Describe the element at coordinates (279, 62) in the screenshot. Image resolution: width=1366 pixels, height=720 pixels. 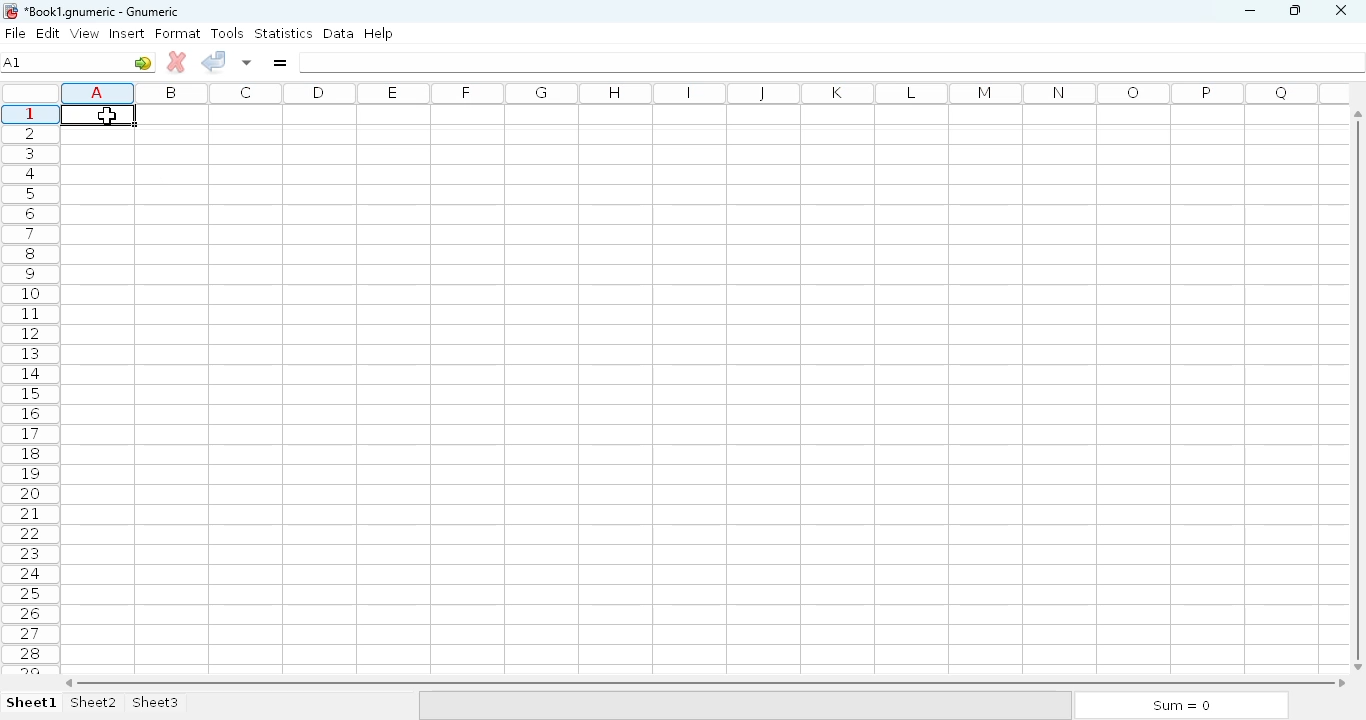
I see `enter formula` at that location.